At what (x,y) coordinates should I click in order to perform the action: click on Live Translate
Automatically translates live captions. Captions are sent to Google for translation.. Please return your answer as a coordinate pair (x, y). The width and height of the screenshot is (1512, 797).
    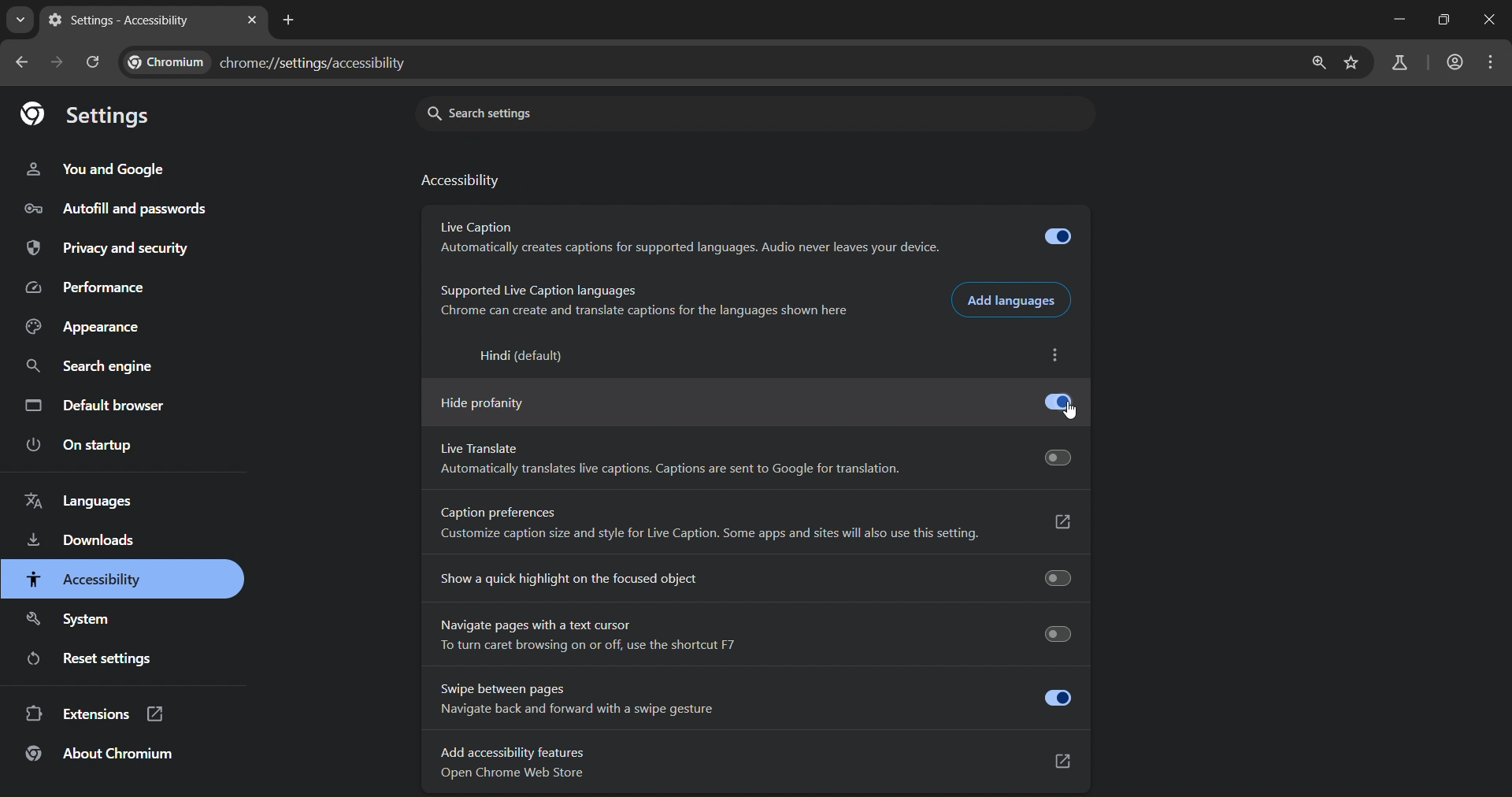
    Looking at the image, I should click on (756, 461).